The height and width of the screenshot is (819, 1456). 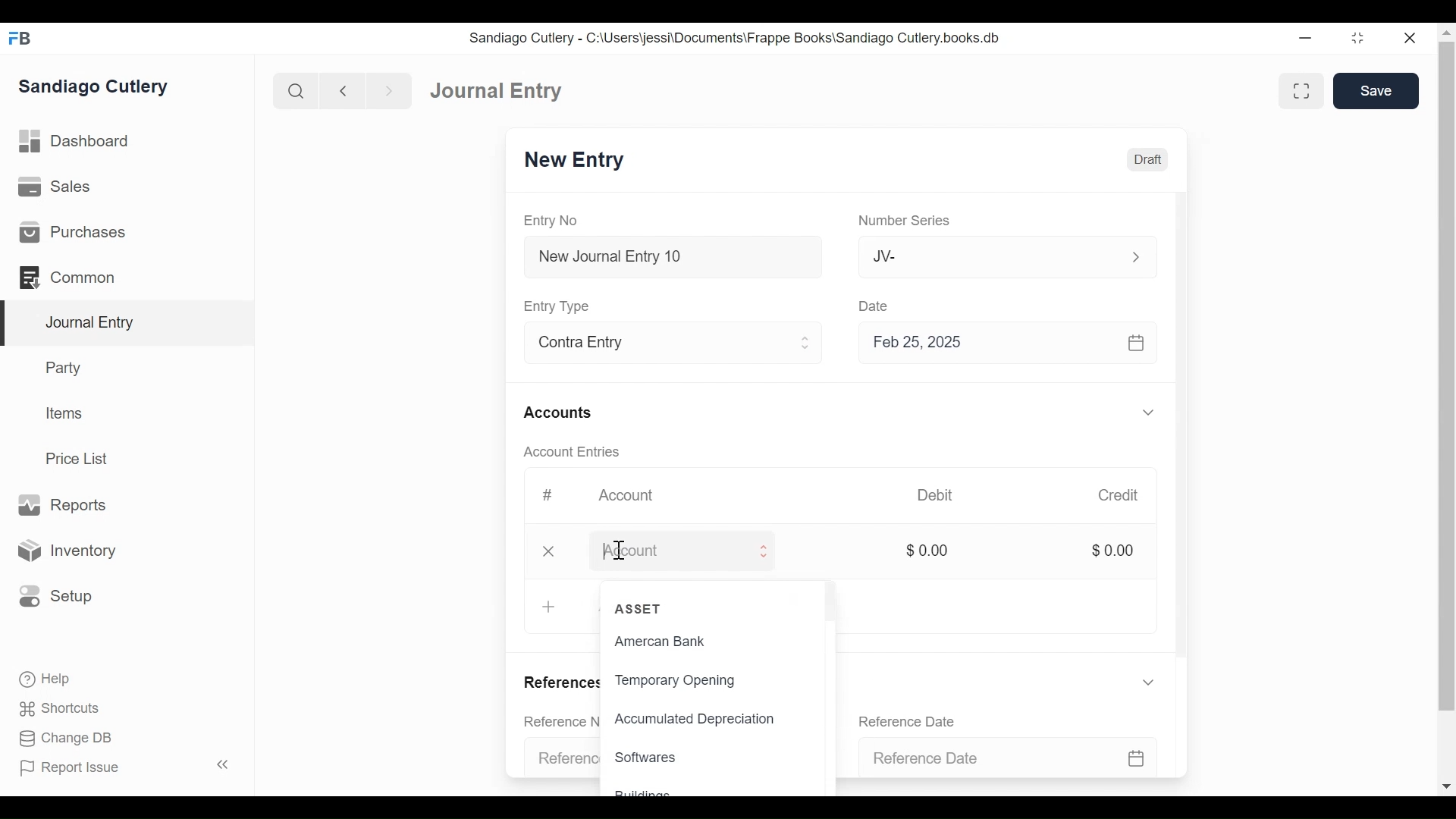 I want to click on scroll down, so click(x=1447, y=787).